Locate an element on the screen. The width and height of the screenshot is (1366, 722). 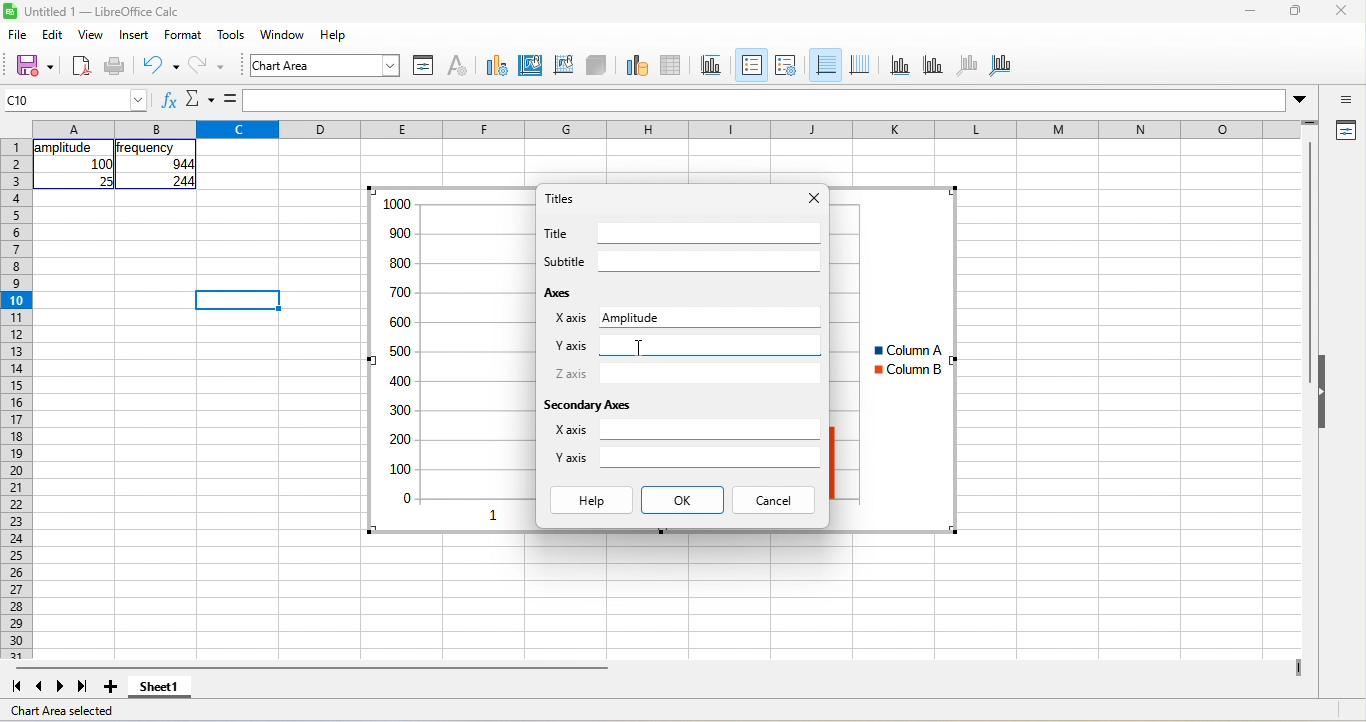
chart wall is located at coordinates (563, 66).